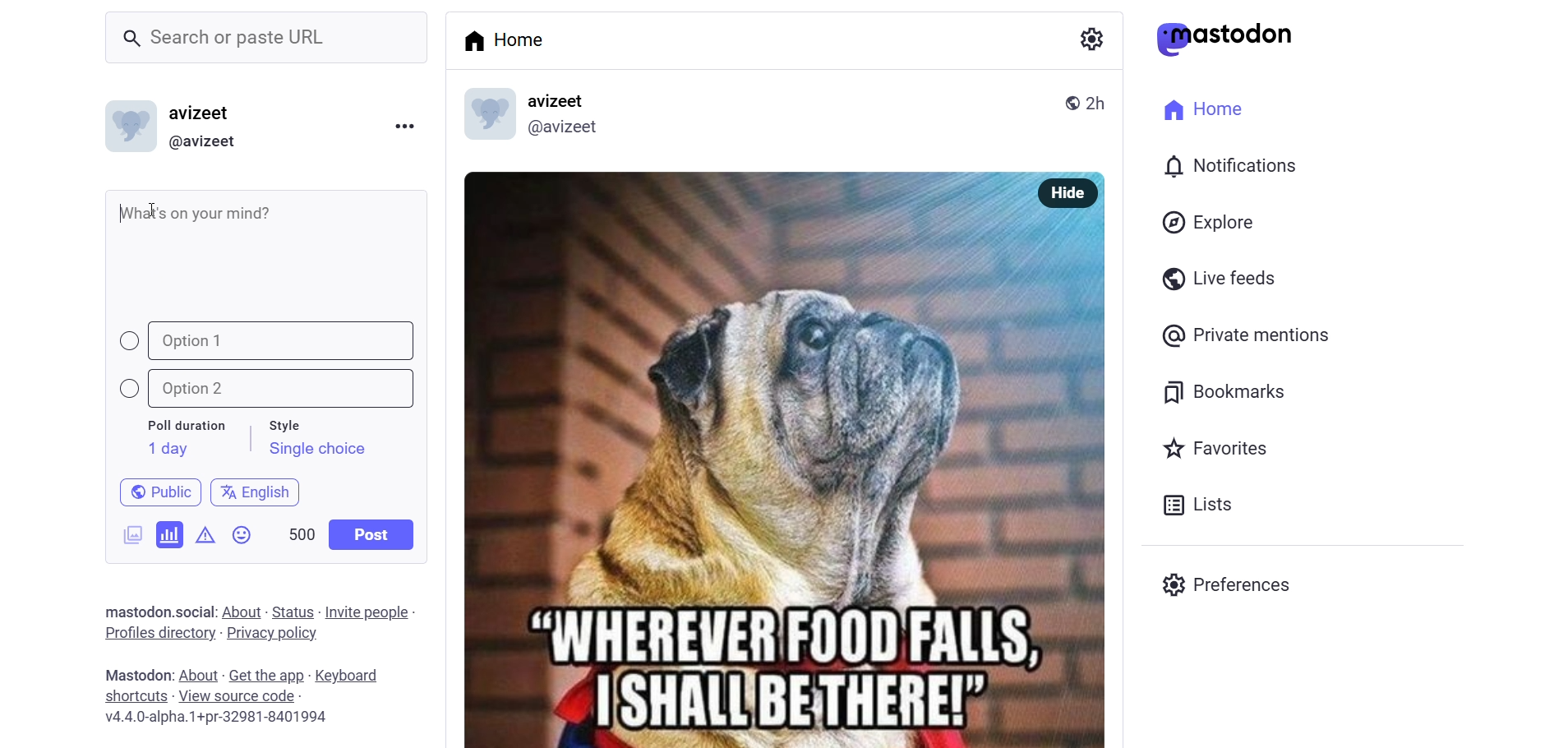 The height and width of the screenshot is (748, 1568). What do you see at coordinates (1231, 582) in the screenshot?
I see `preferences` at bounding box center [1231, 582].